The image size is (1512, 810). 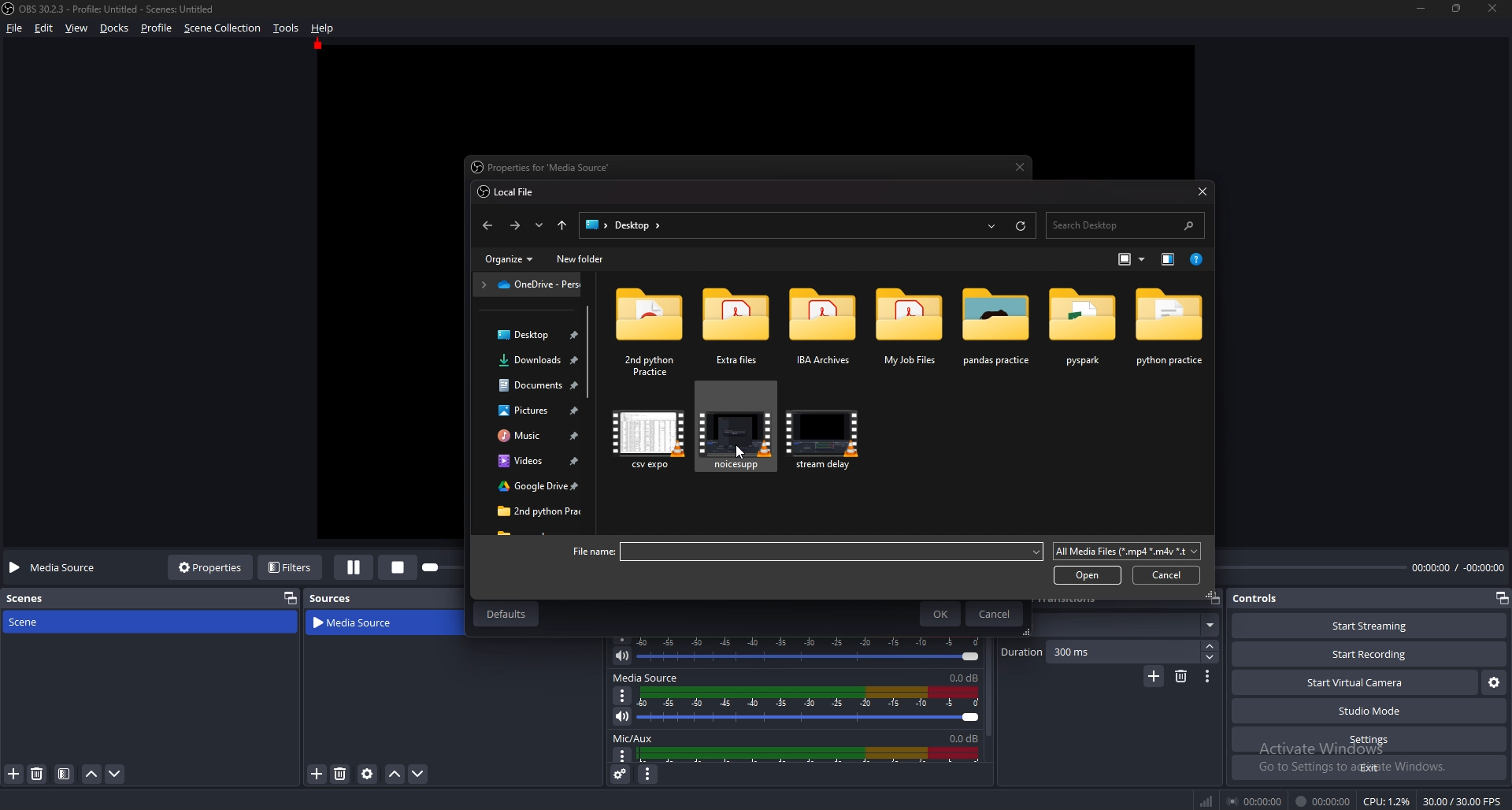 I want to click on folder, so click(x=911, y=326).